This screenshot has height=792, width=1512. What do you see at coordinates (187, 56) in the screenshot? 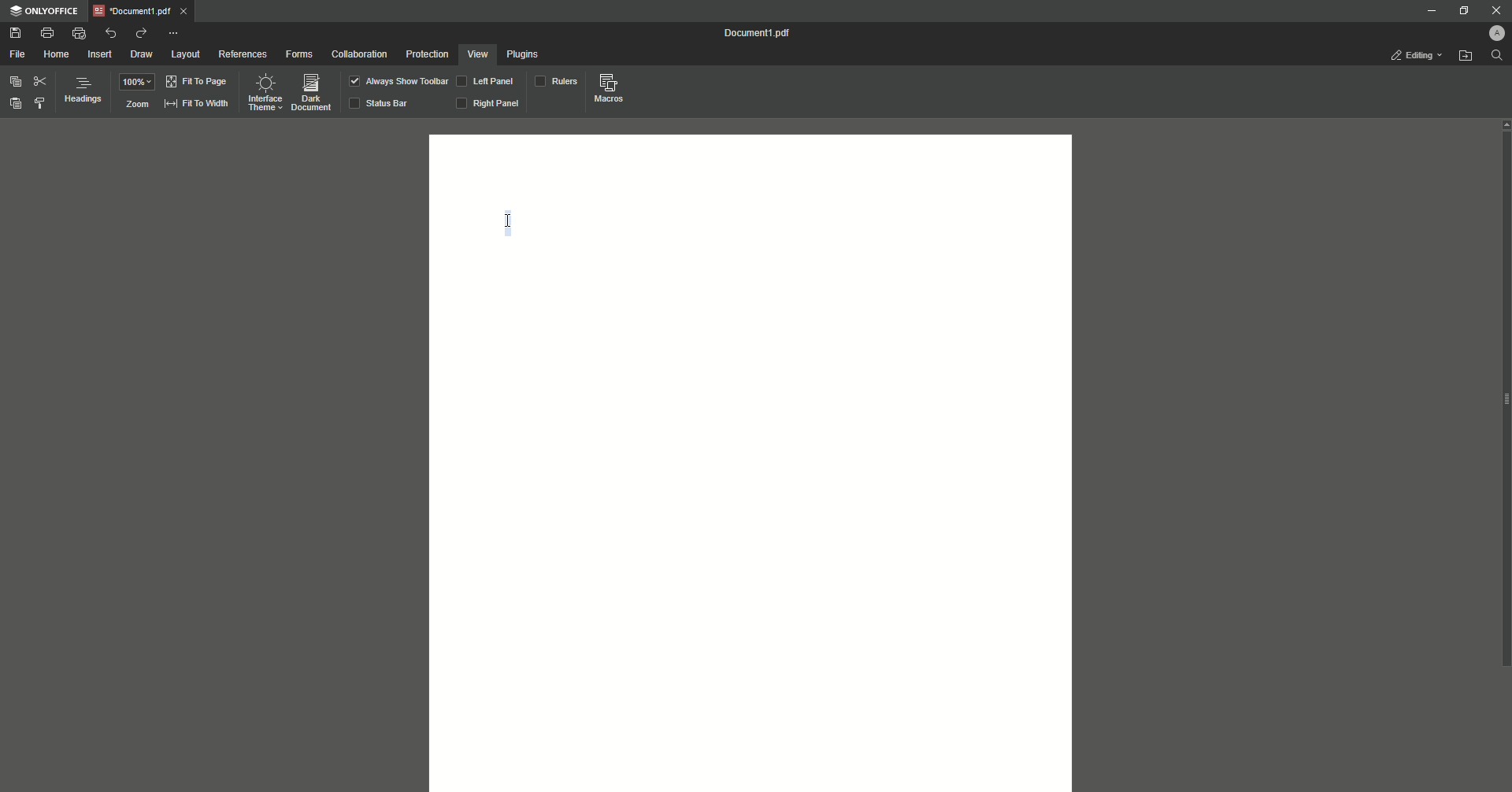
I see `layout` at bounding box center [187, 56].